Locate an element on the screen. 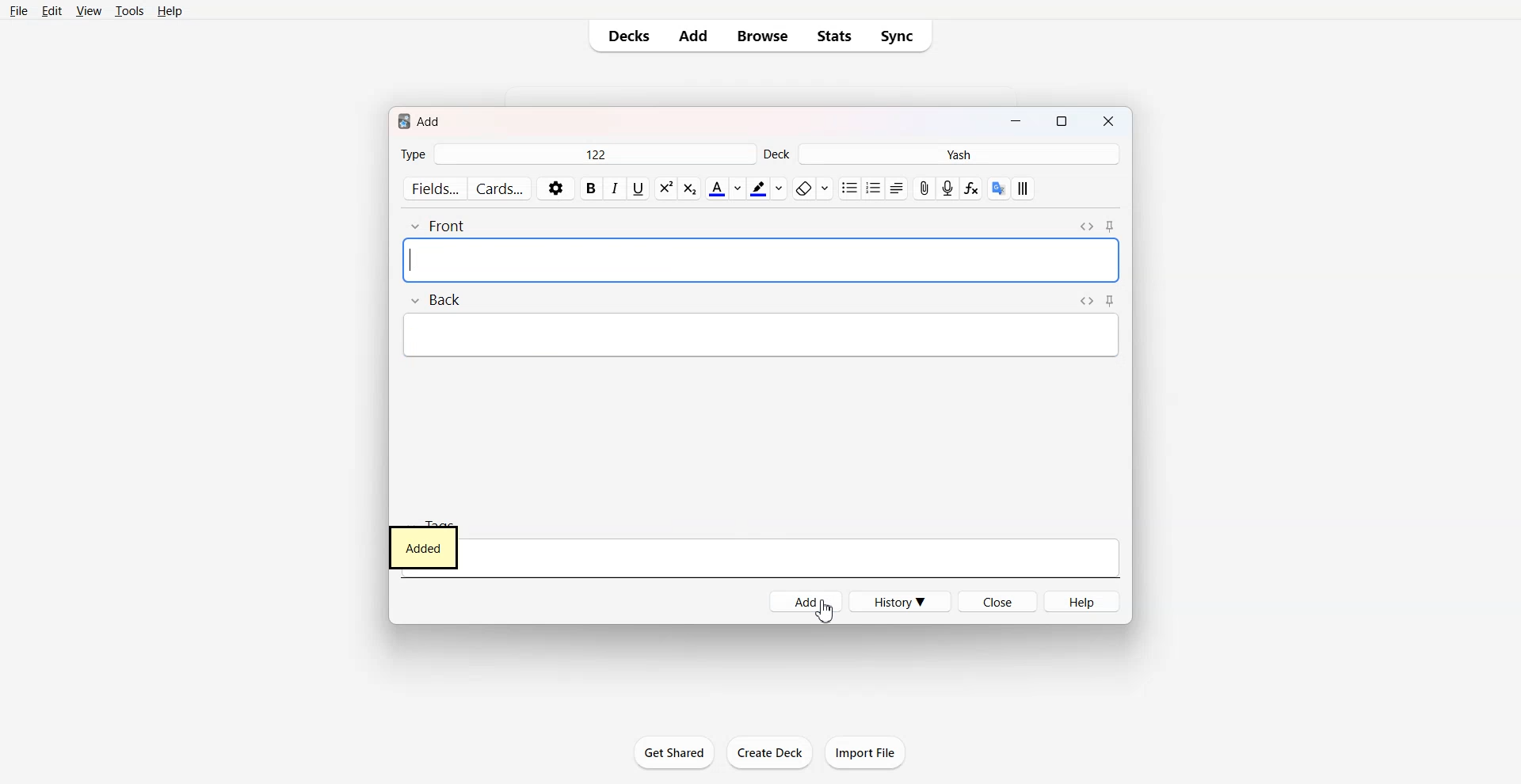  added is located at coordinates (424, 547).